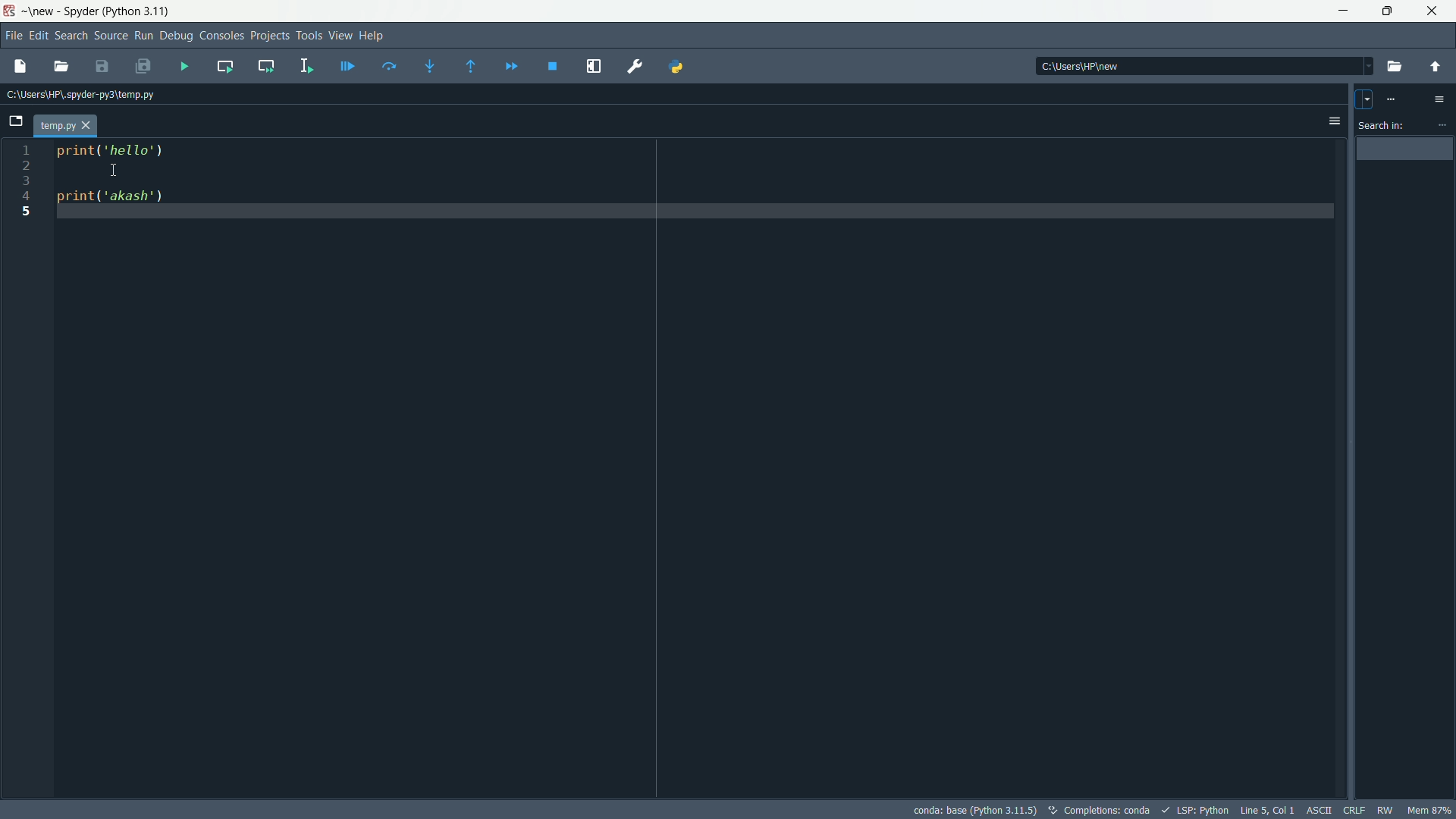 The image size is (1456, 819). I want to click on edit menu, so click(39, 35).